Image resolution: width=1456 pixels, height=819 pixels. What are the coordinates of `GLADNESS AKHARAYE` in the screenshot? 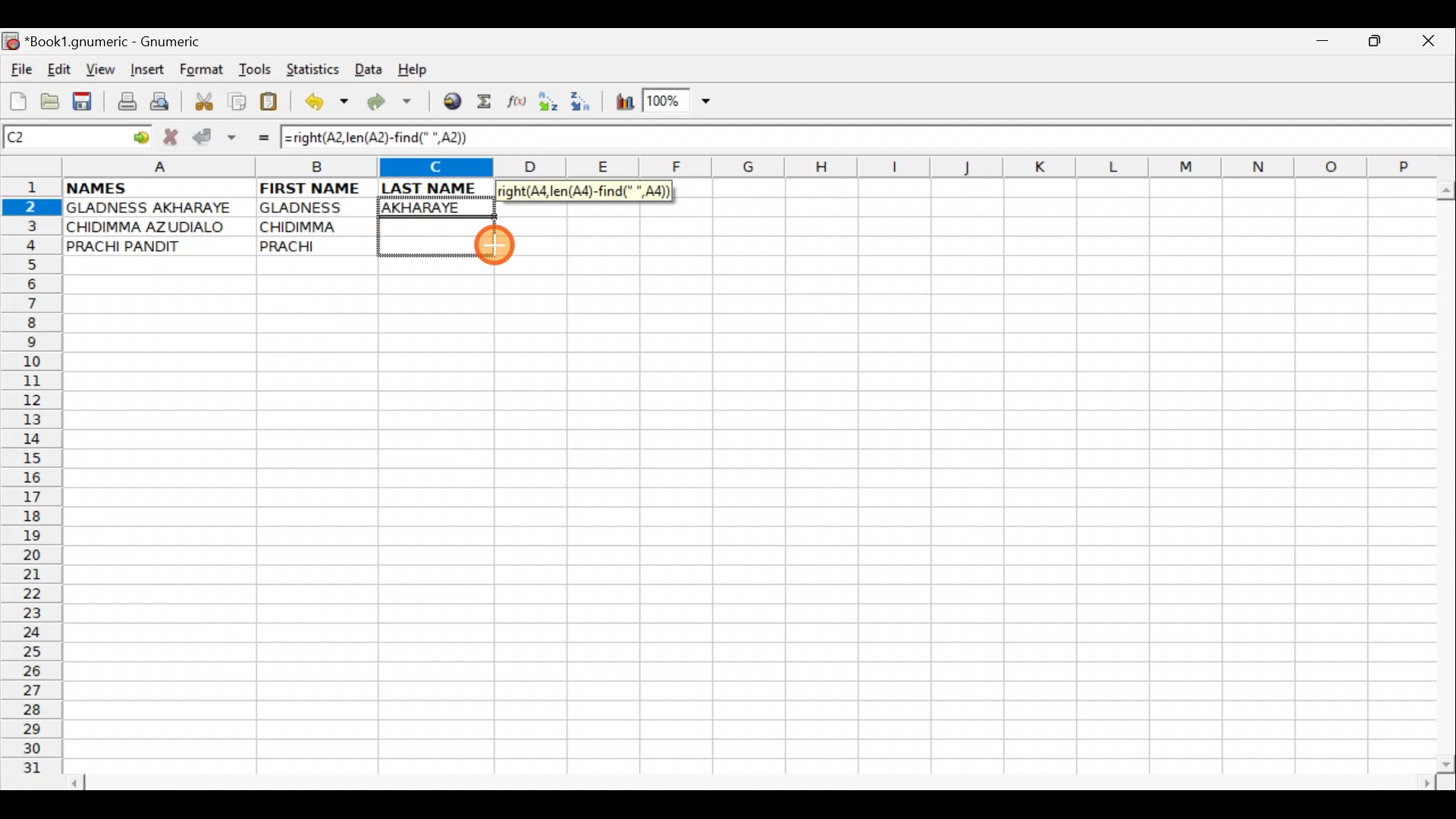 It's located at (158, 209).